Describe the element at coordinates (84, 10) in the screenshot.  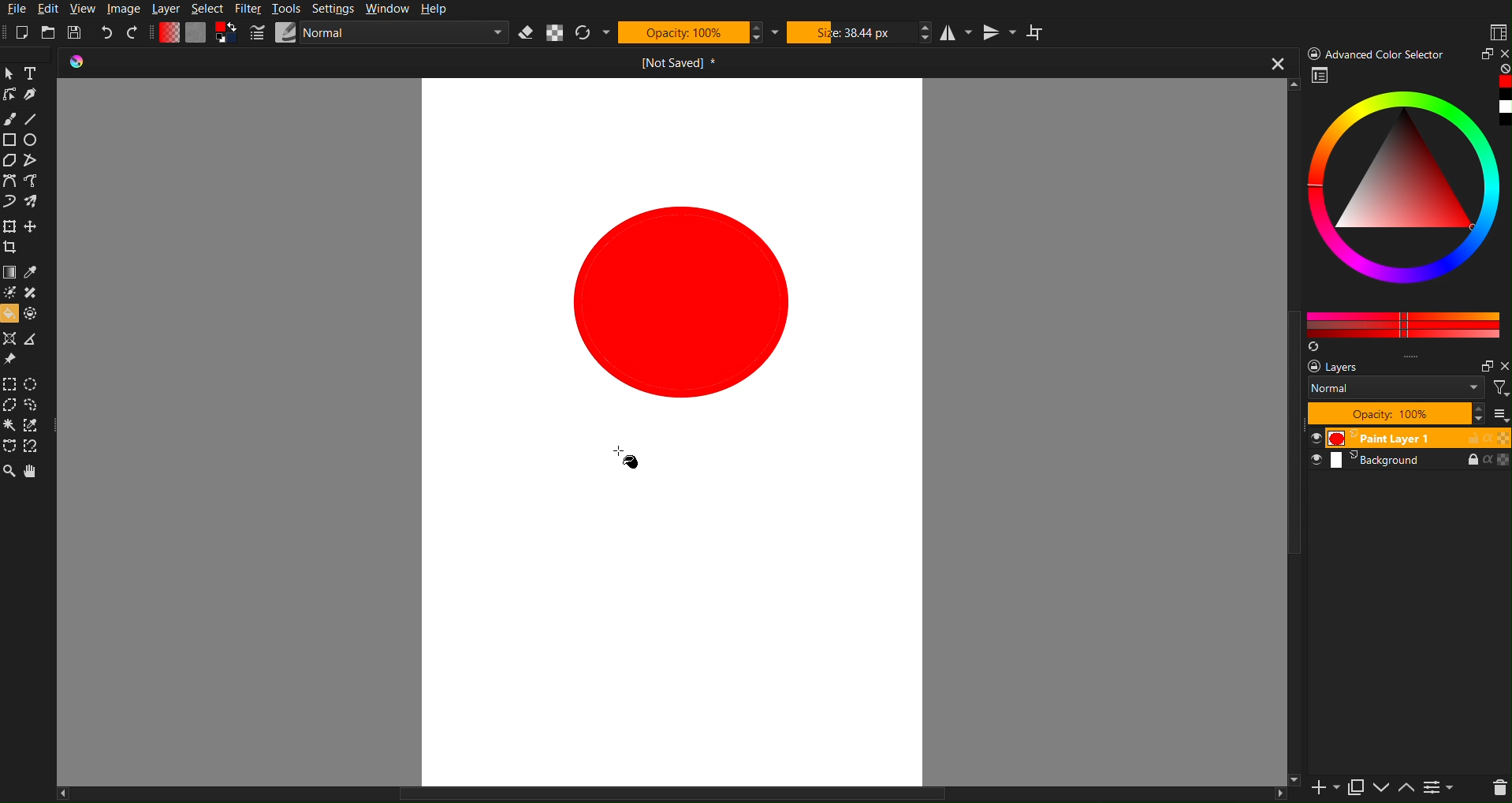
I see `View` at that location.